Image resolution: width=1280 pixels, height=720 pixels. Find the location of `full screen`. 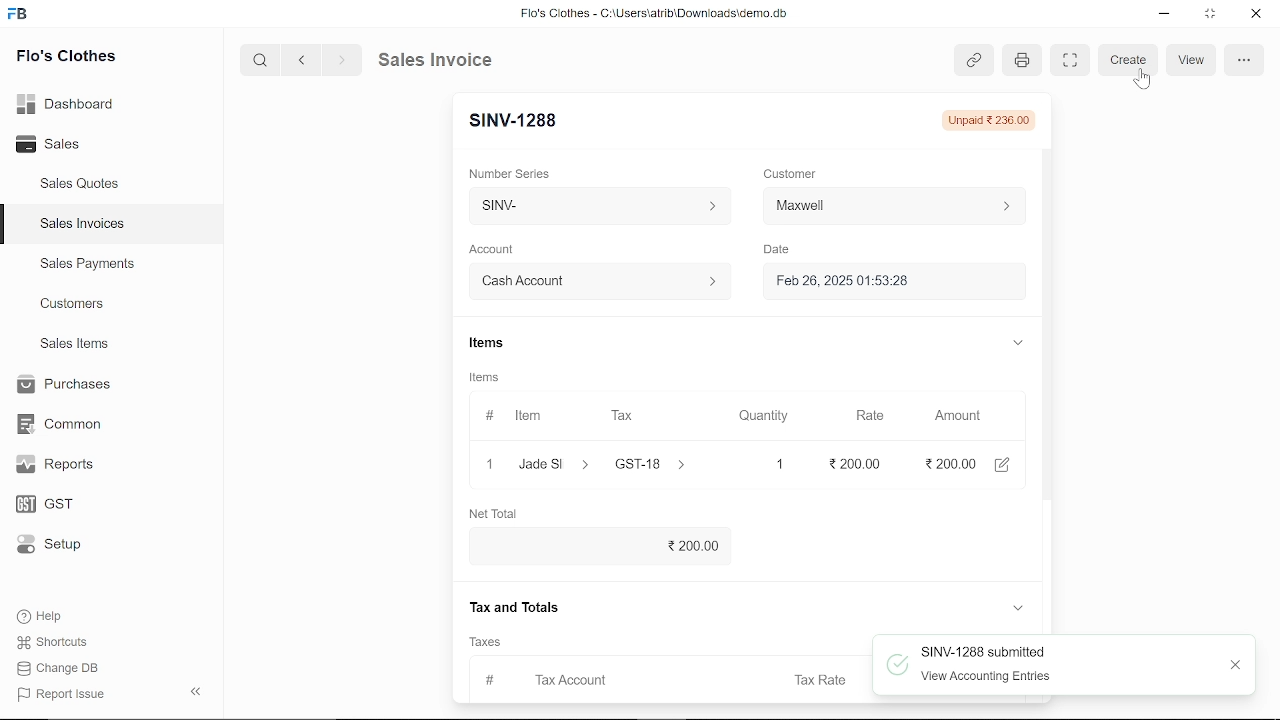

full screen is located at coordinates (1069, 60).